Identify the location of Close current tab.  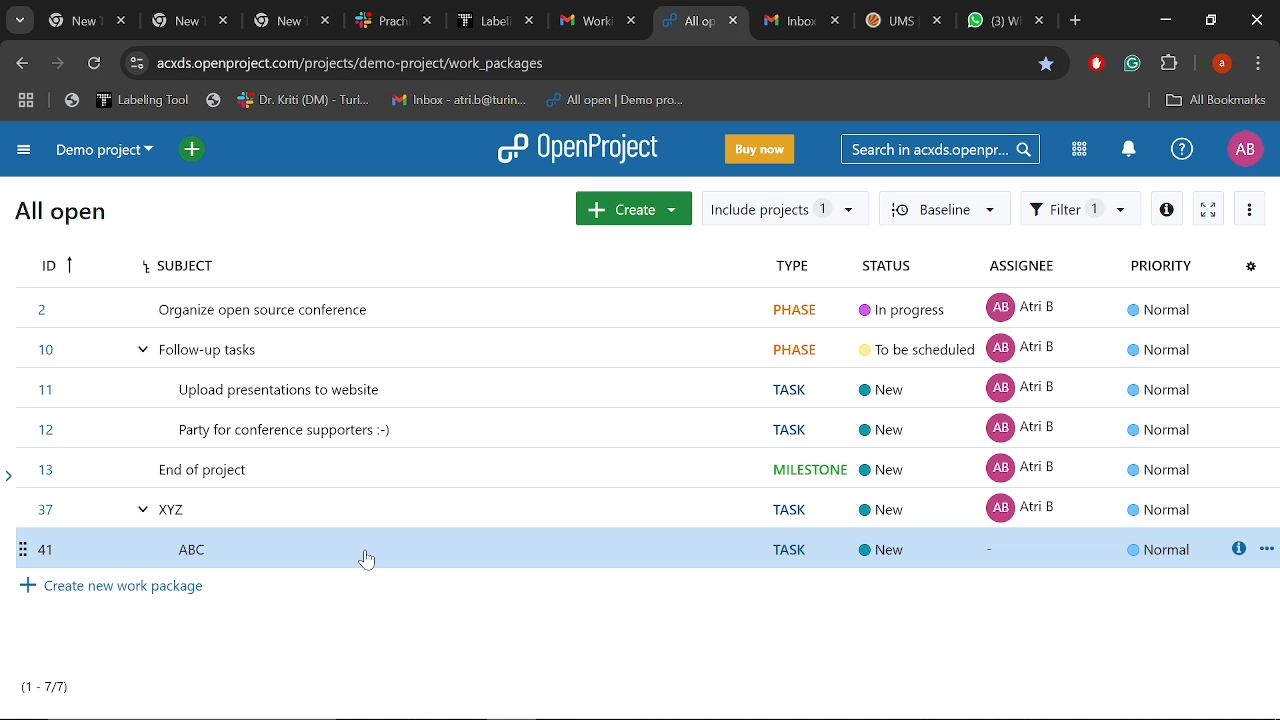
(735, 23).